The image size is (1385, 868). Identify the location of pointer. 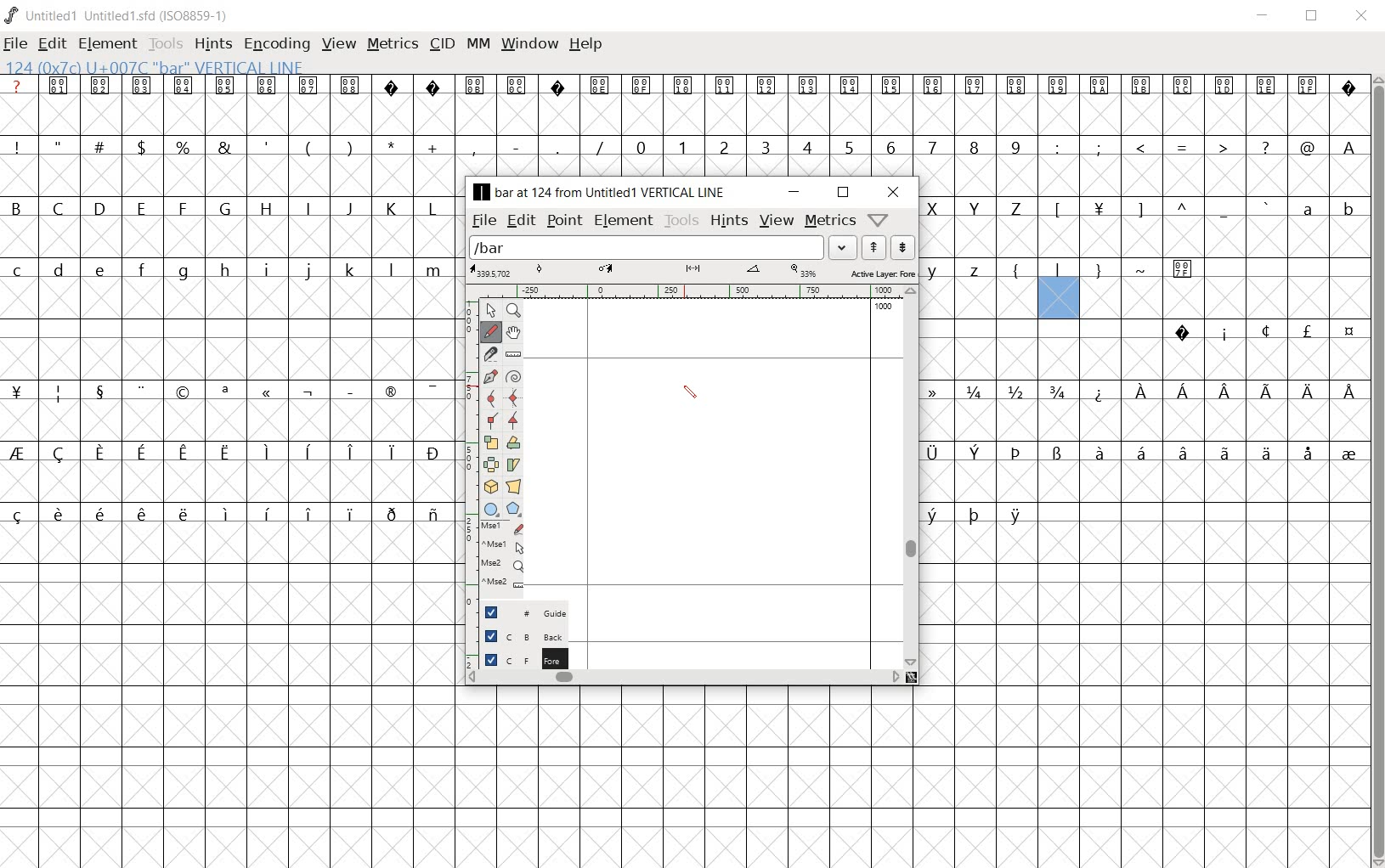
(489, 311).